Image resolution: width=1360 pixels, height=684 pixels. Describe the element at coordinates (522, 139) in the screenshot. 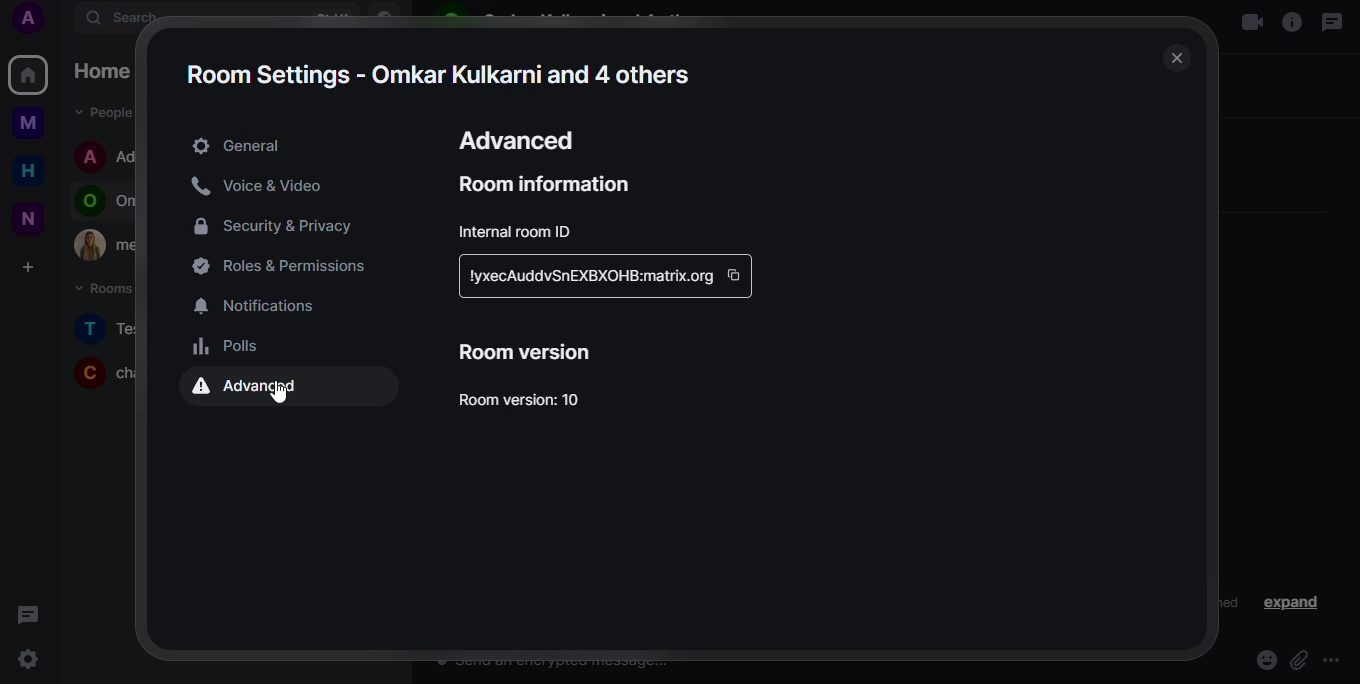

I see `advanced` at that location.